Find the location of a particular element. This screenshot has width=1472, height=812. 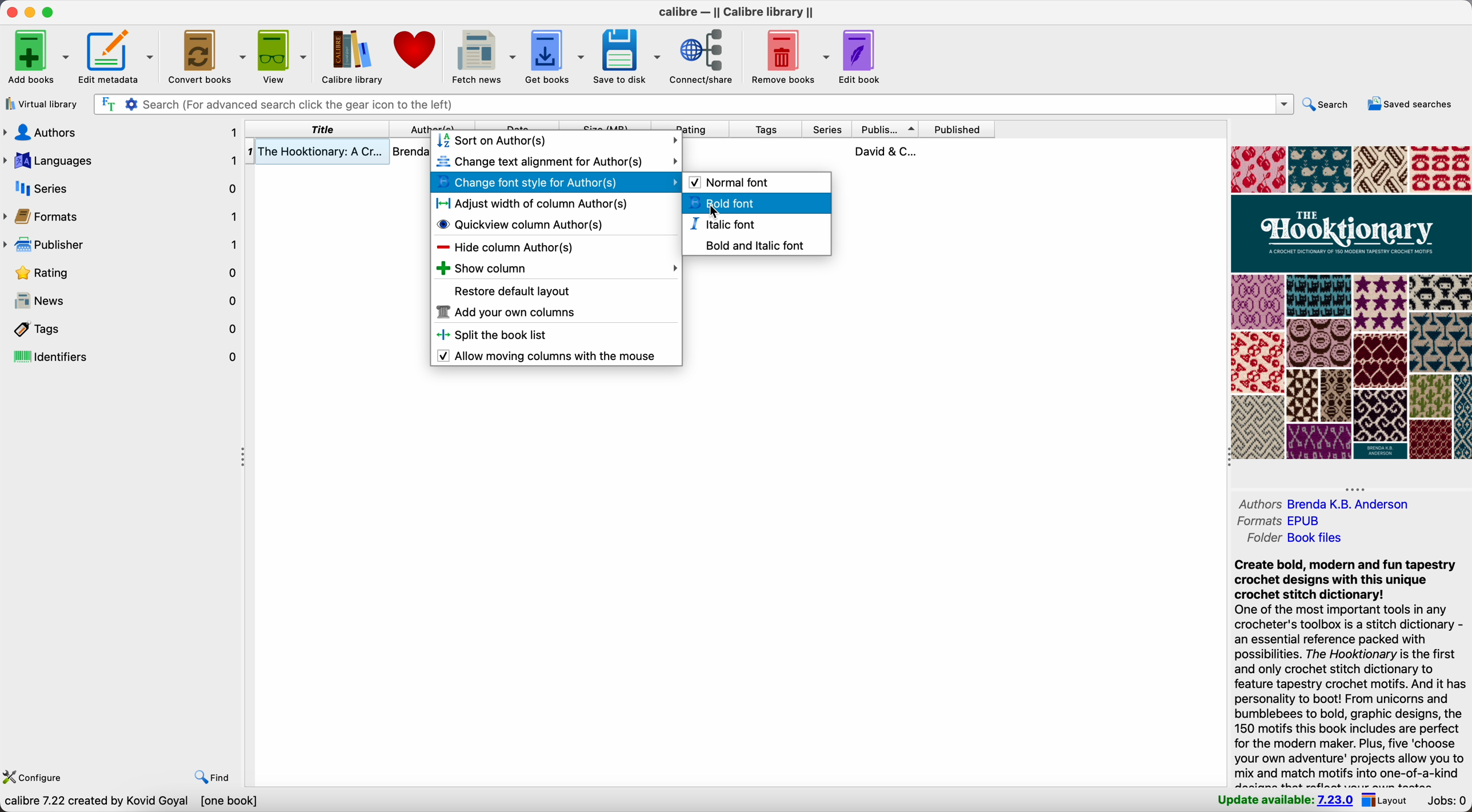

Calibre library is located at coordinates (351, 55).